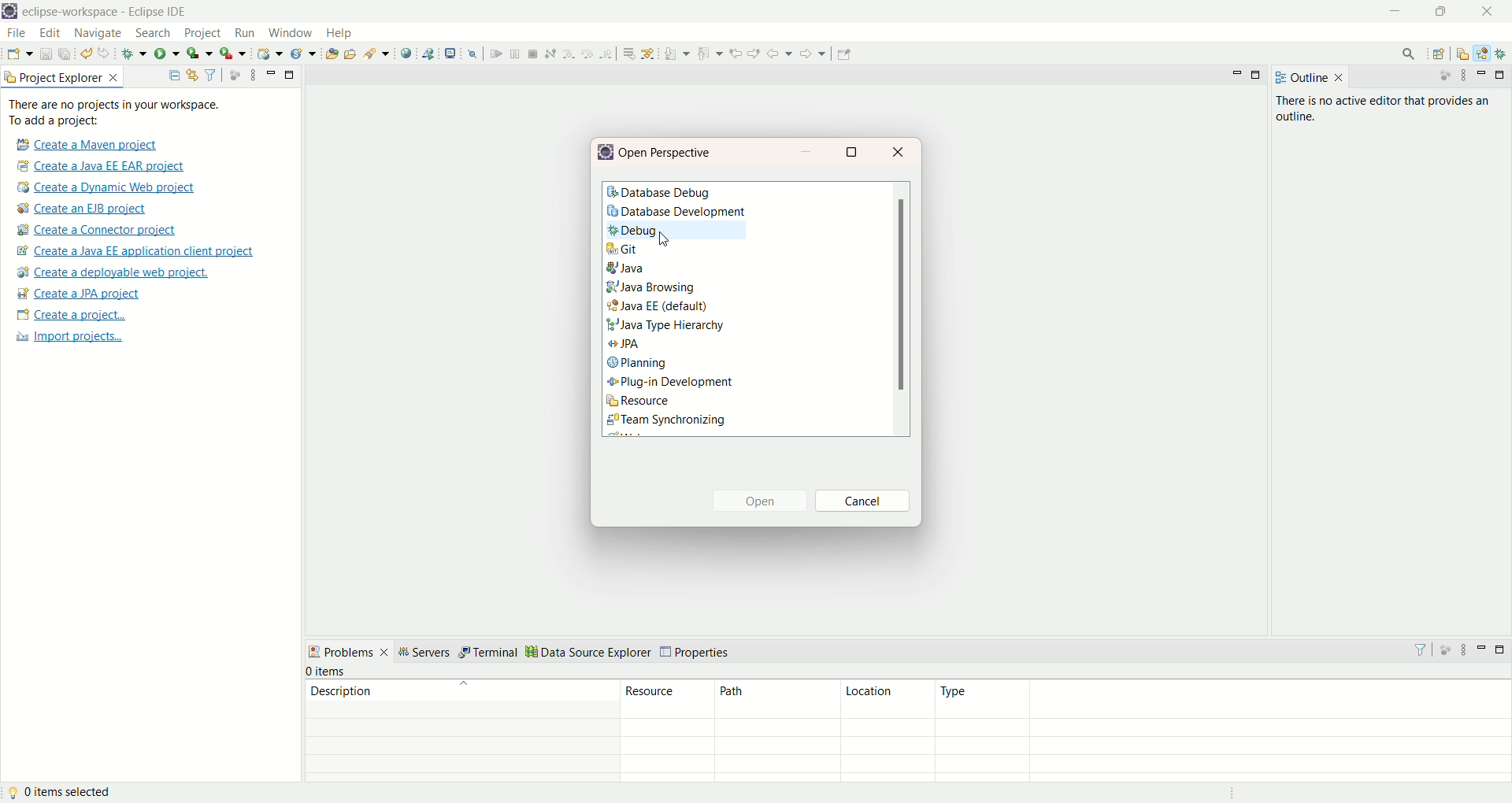 This screenshot has height=803, width=1512. What do you see at coordinates (629, 269) in the screenshot?
I see `java` at bounding box center [629, 269].